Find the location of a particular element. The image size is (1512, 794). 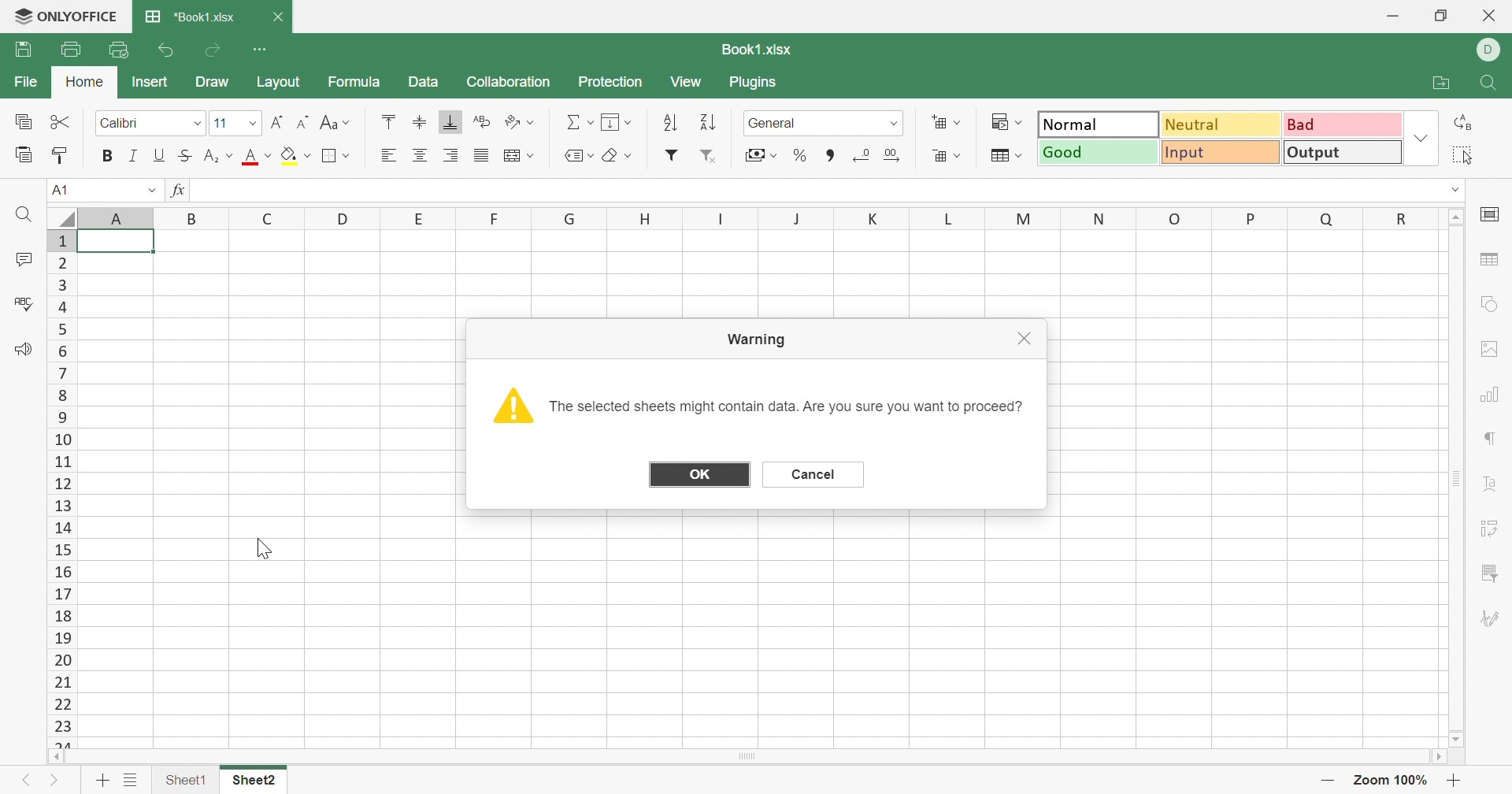

Drop Down is located at coordinates (1024, 121).